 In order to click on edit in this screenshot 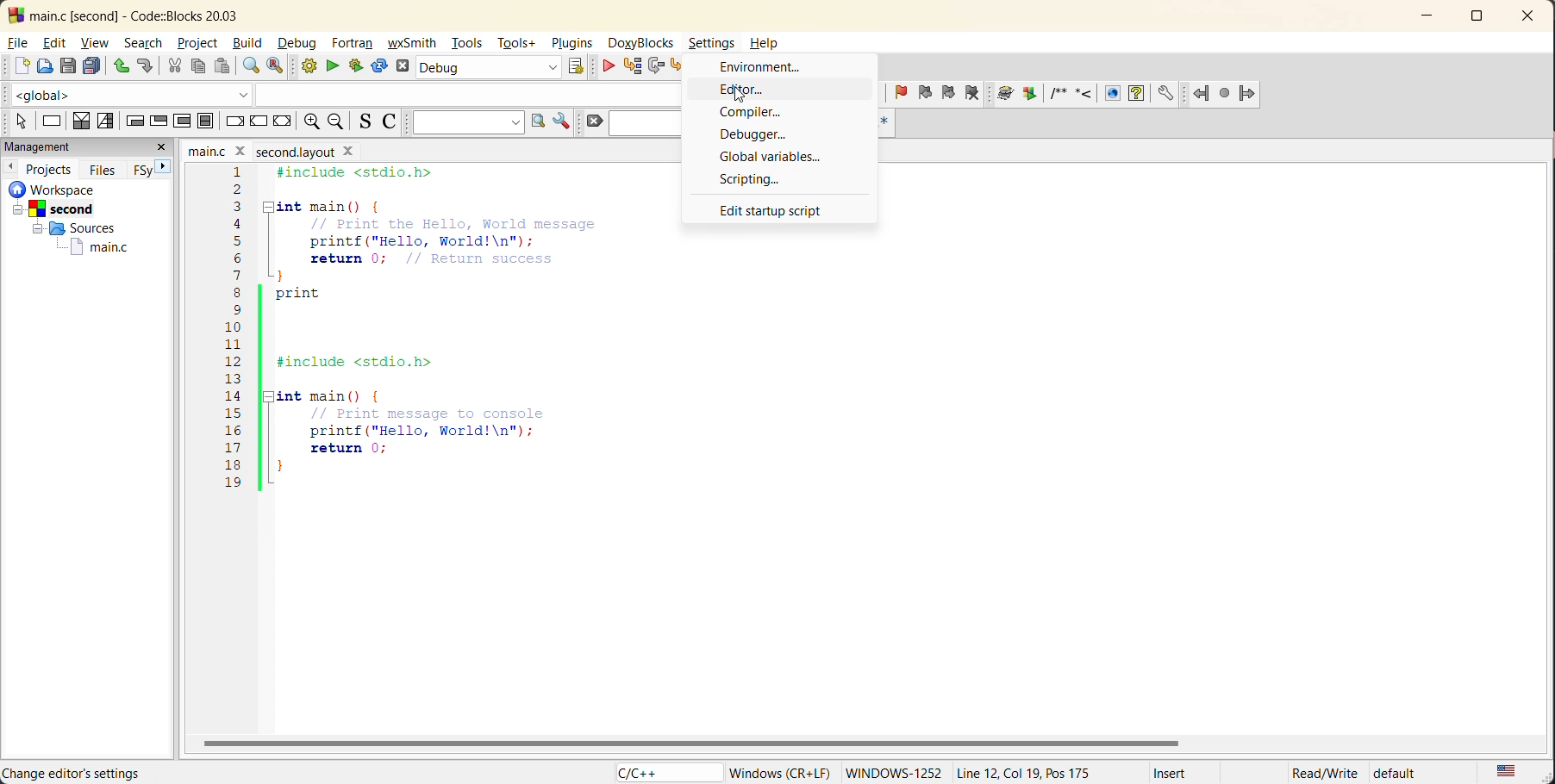, I will do `click(54, 44)`.